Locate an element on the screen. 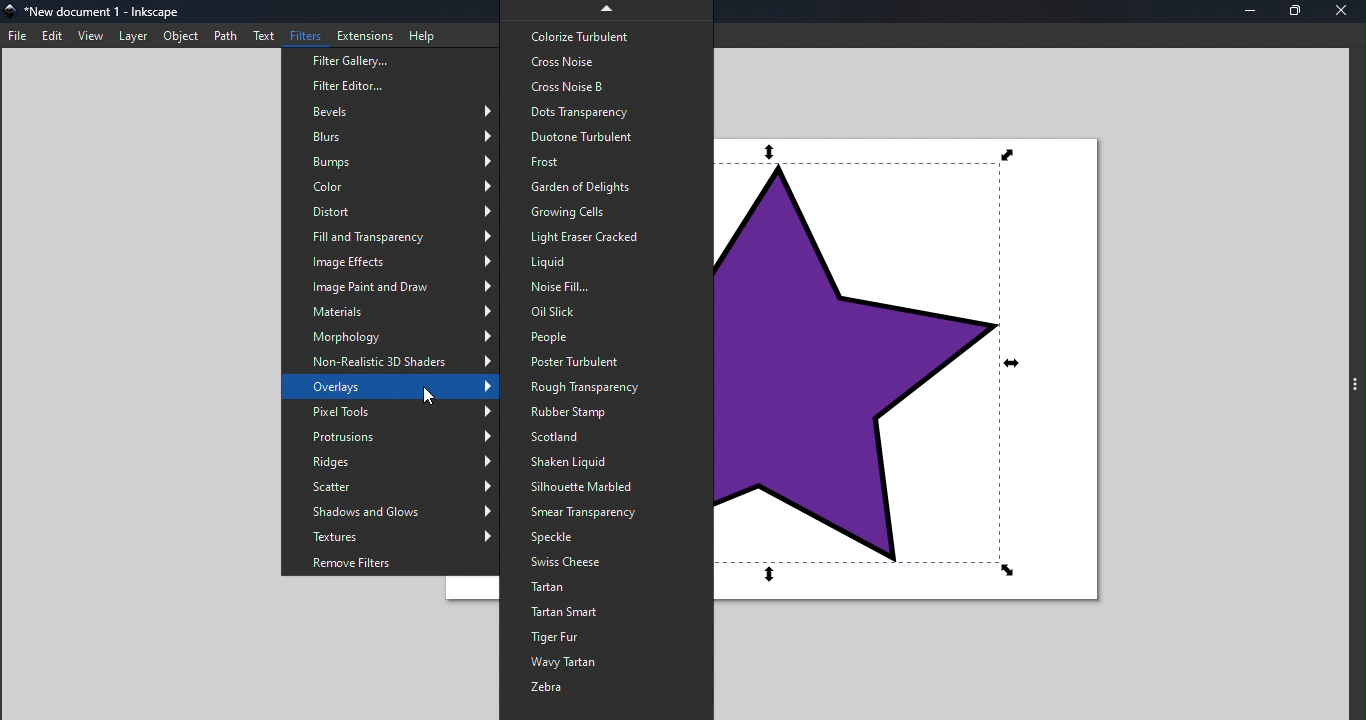 The width and height of the screenshot is (1366, 720). Distort is located at coordinates (390, 210).